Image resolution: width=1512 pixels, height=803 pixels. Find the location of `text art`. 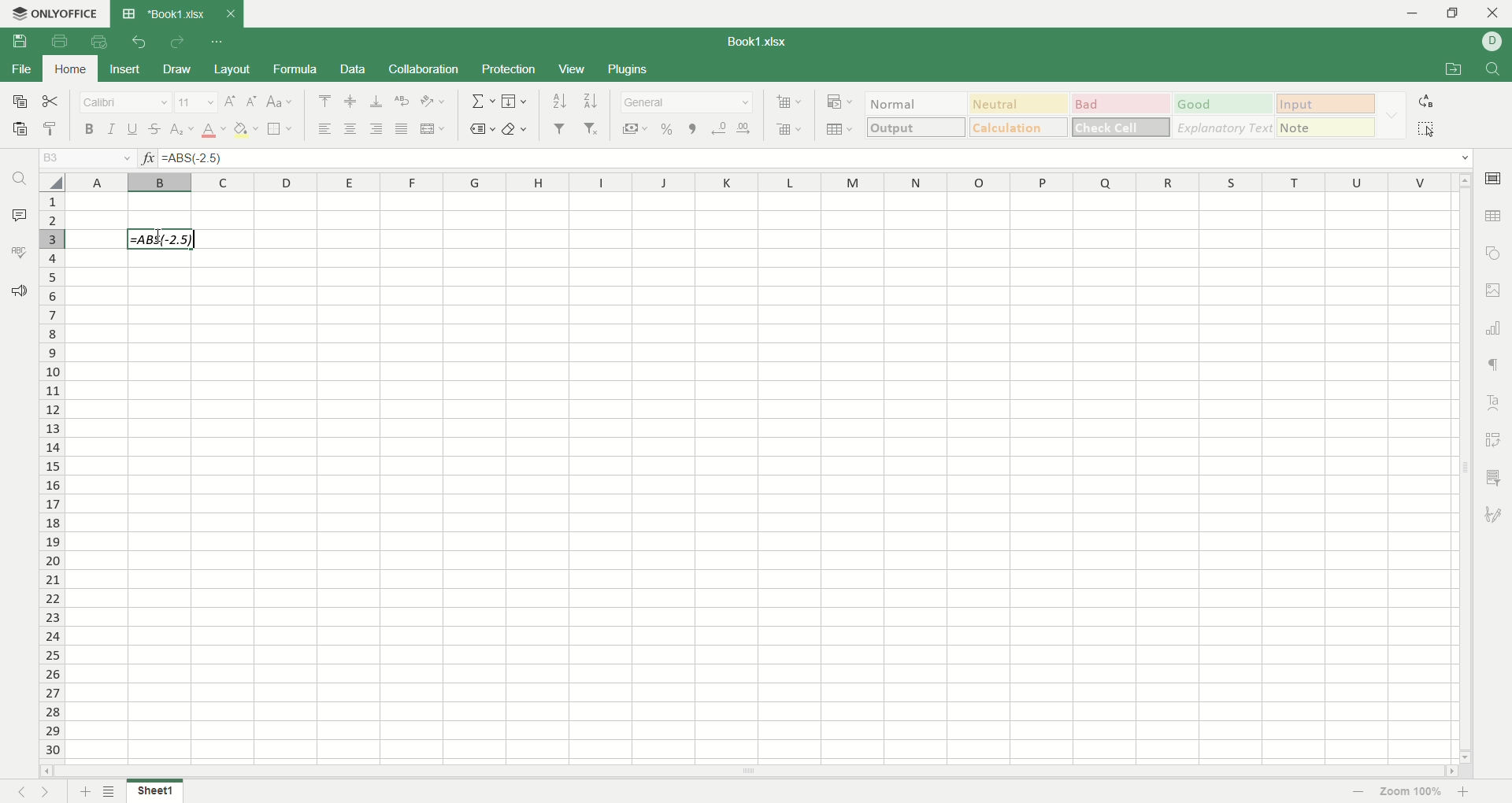

text art is located at coordinates (1496, 403).